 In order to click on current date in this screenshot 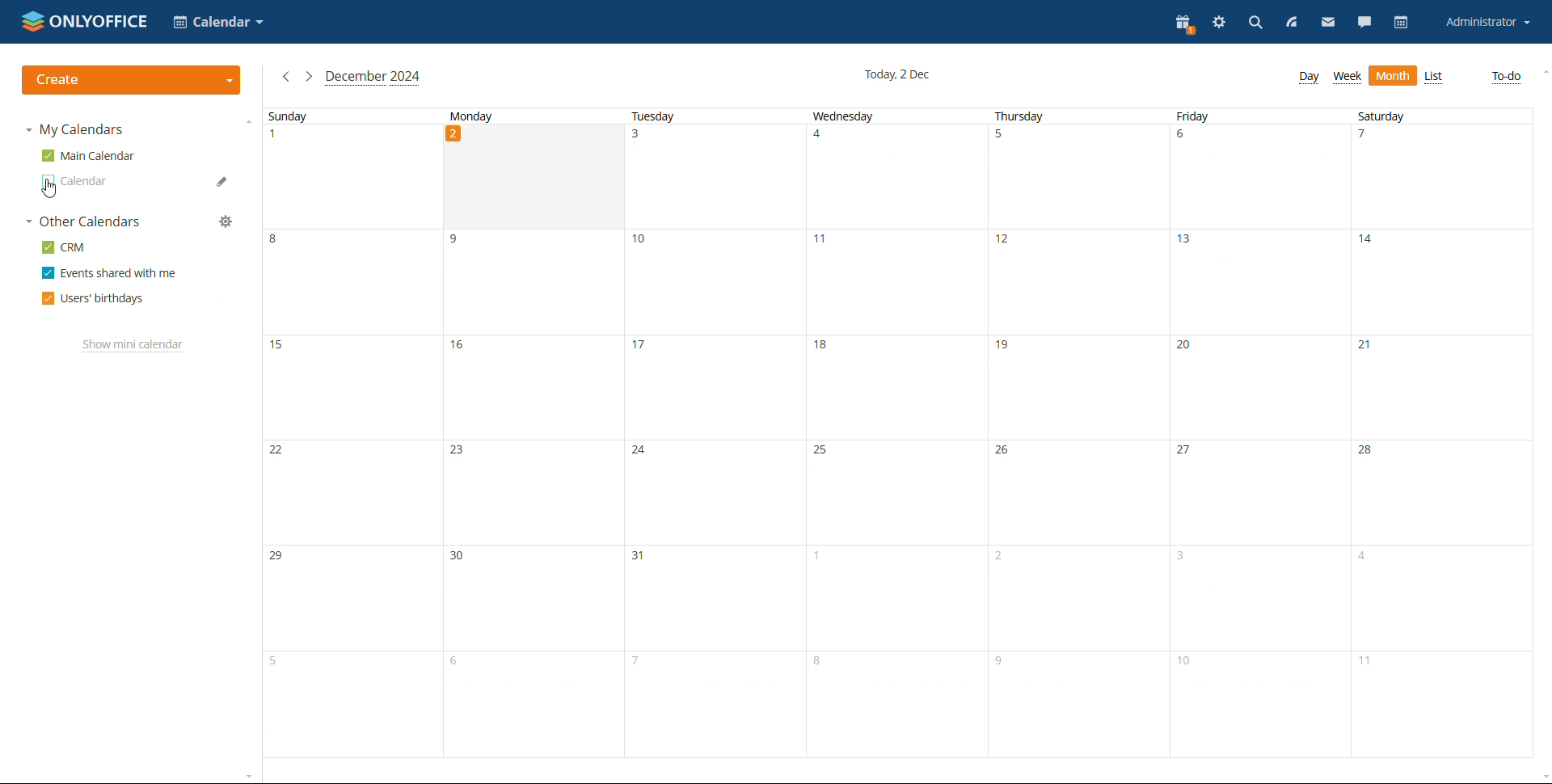, I will do `click(896, 74)`.